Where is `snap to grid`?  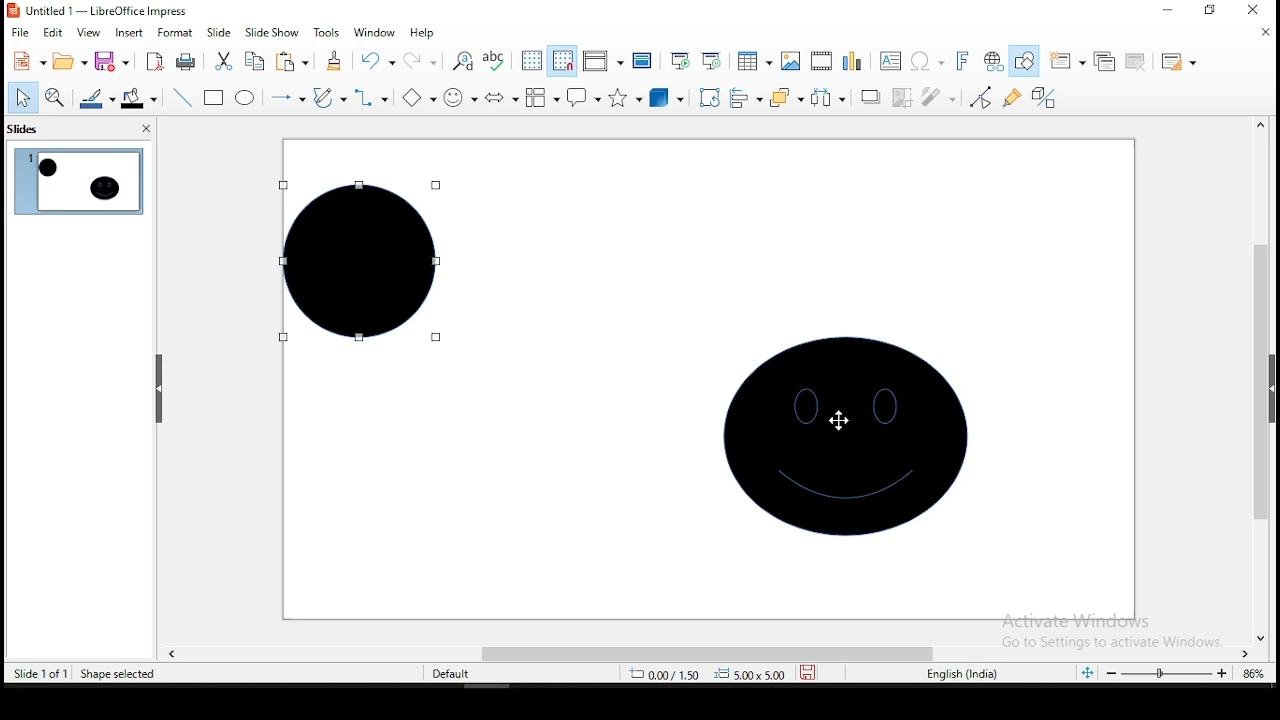 snap to grid is located at coordinates (561, 61).